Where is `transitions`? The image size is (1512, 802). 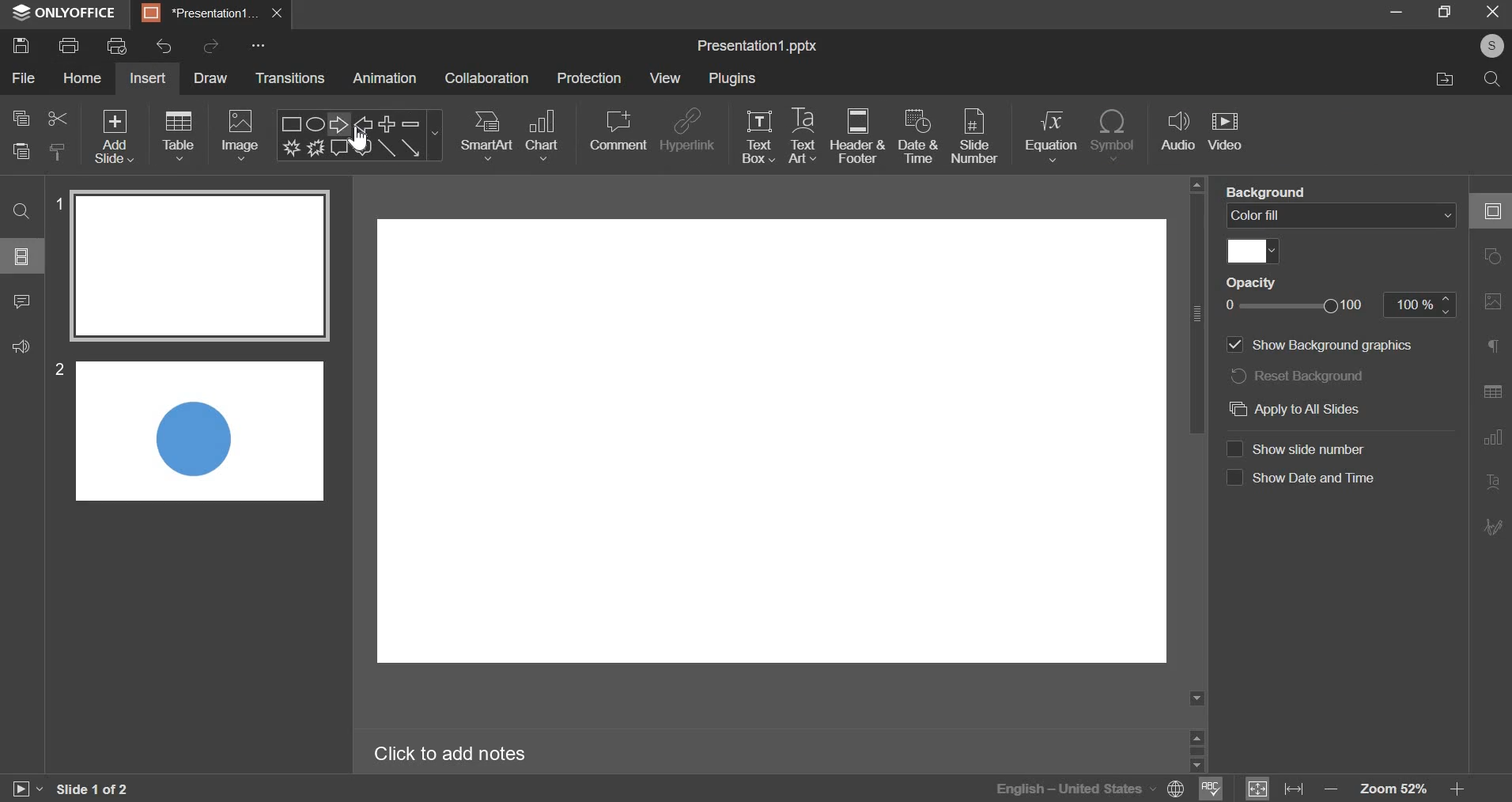 transitions is located at coordinates (287, 77).